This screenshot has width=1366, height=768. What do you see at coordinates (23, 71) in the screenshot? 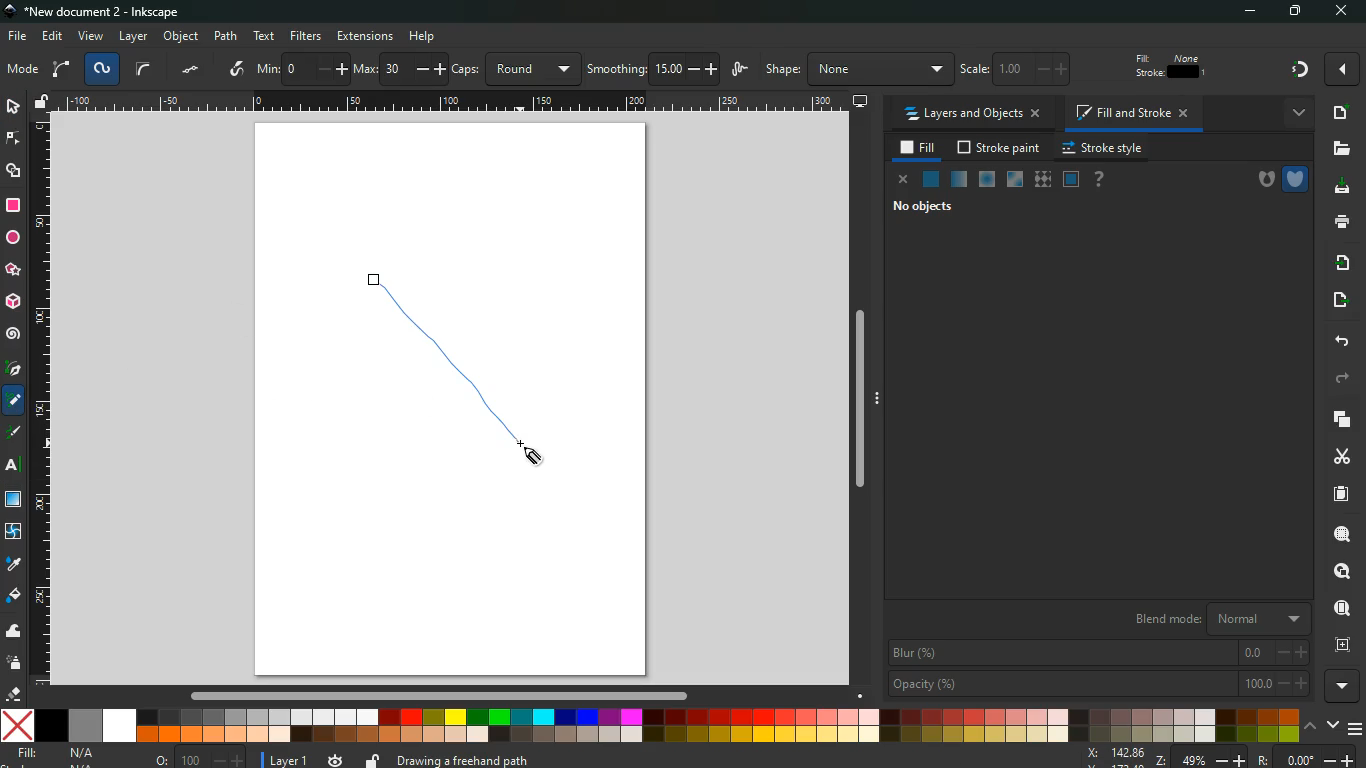
I see `mode` at bounding box center [23, 71].